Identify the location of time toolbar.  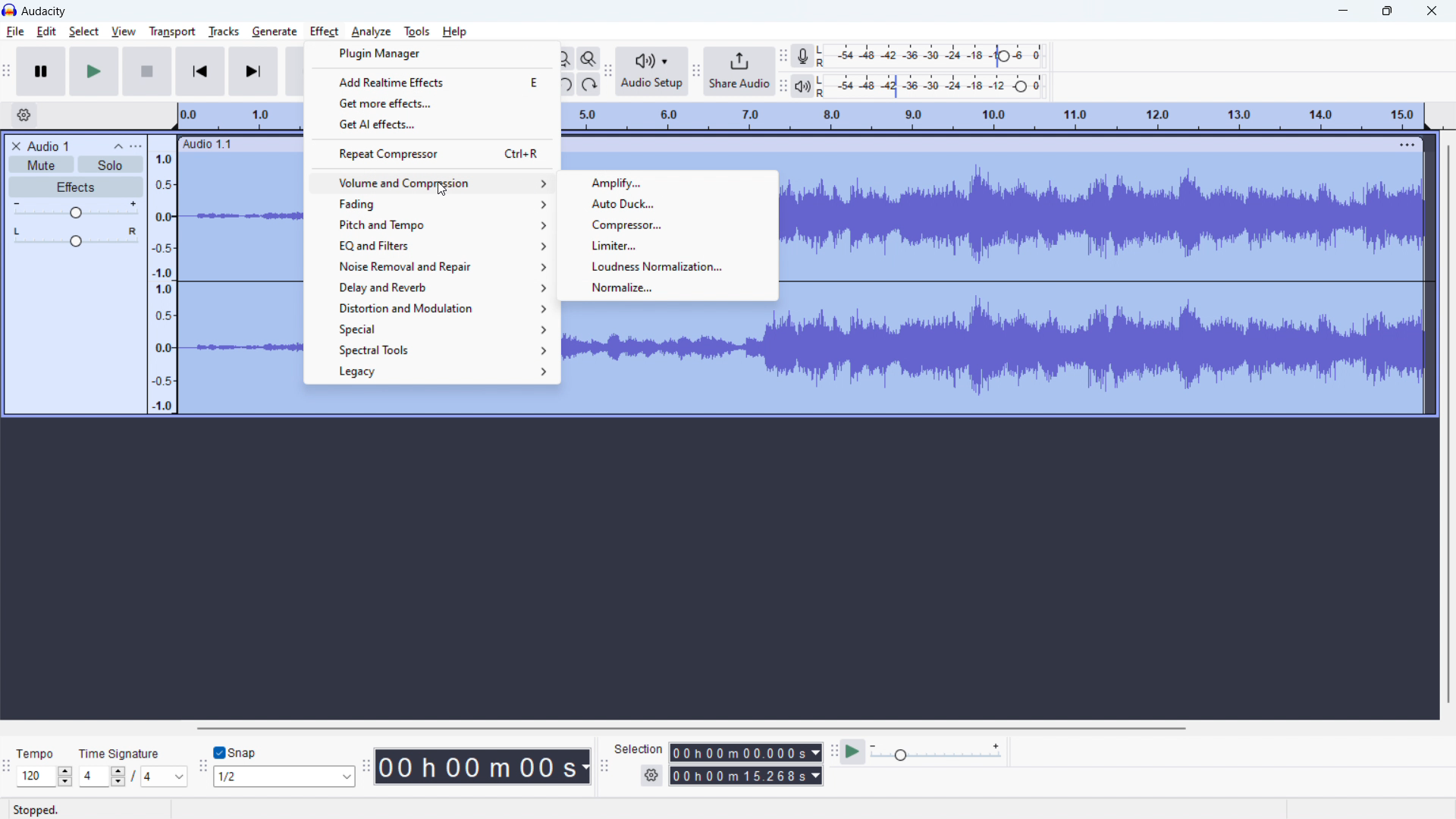
(366, 768).